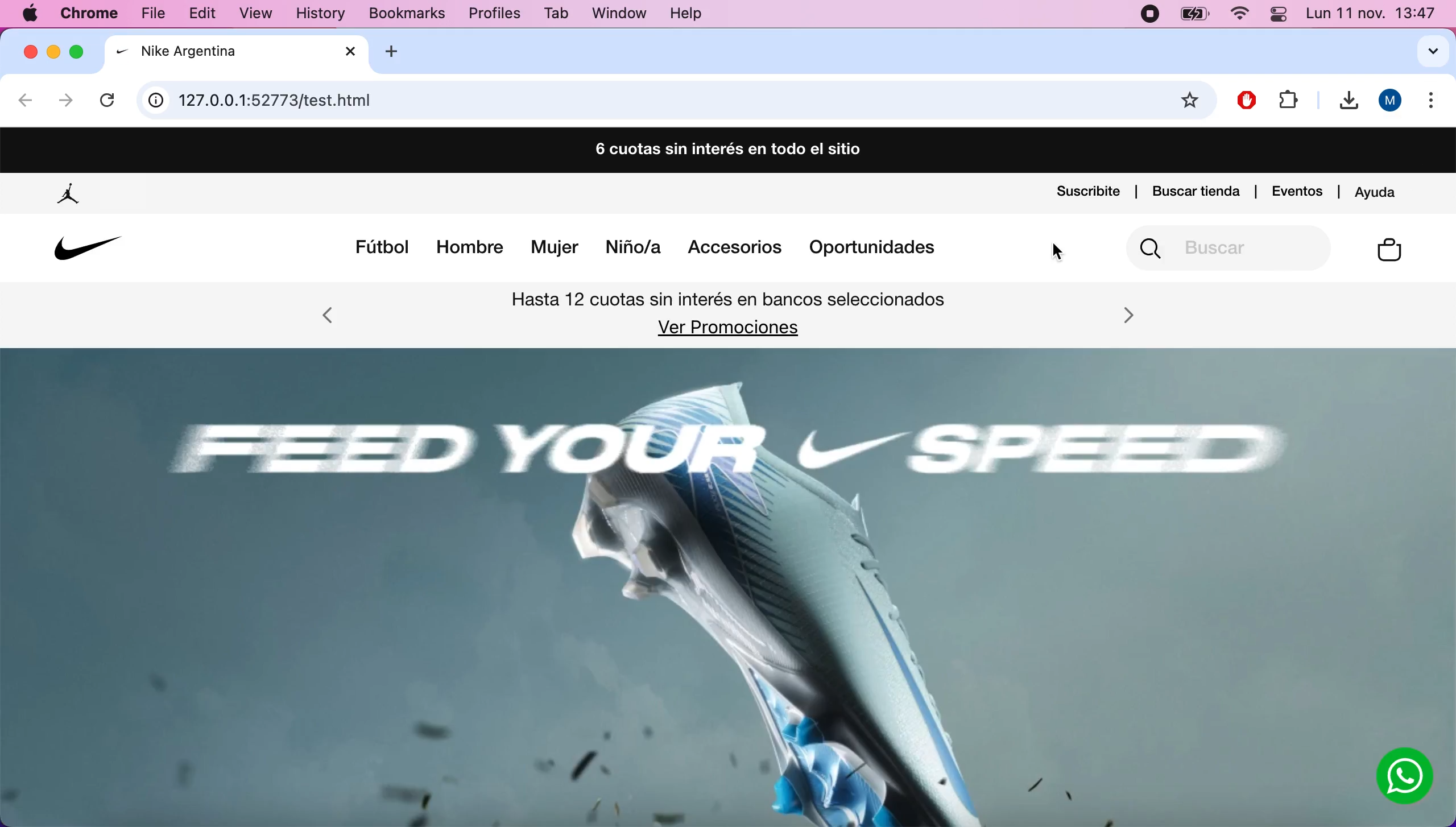 The image size is (1456, 827). I want to click on favorites, so click(1192, 101).